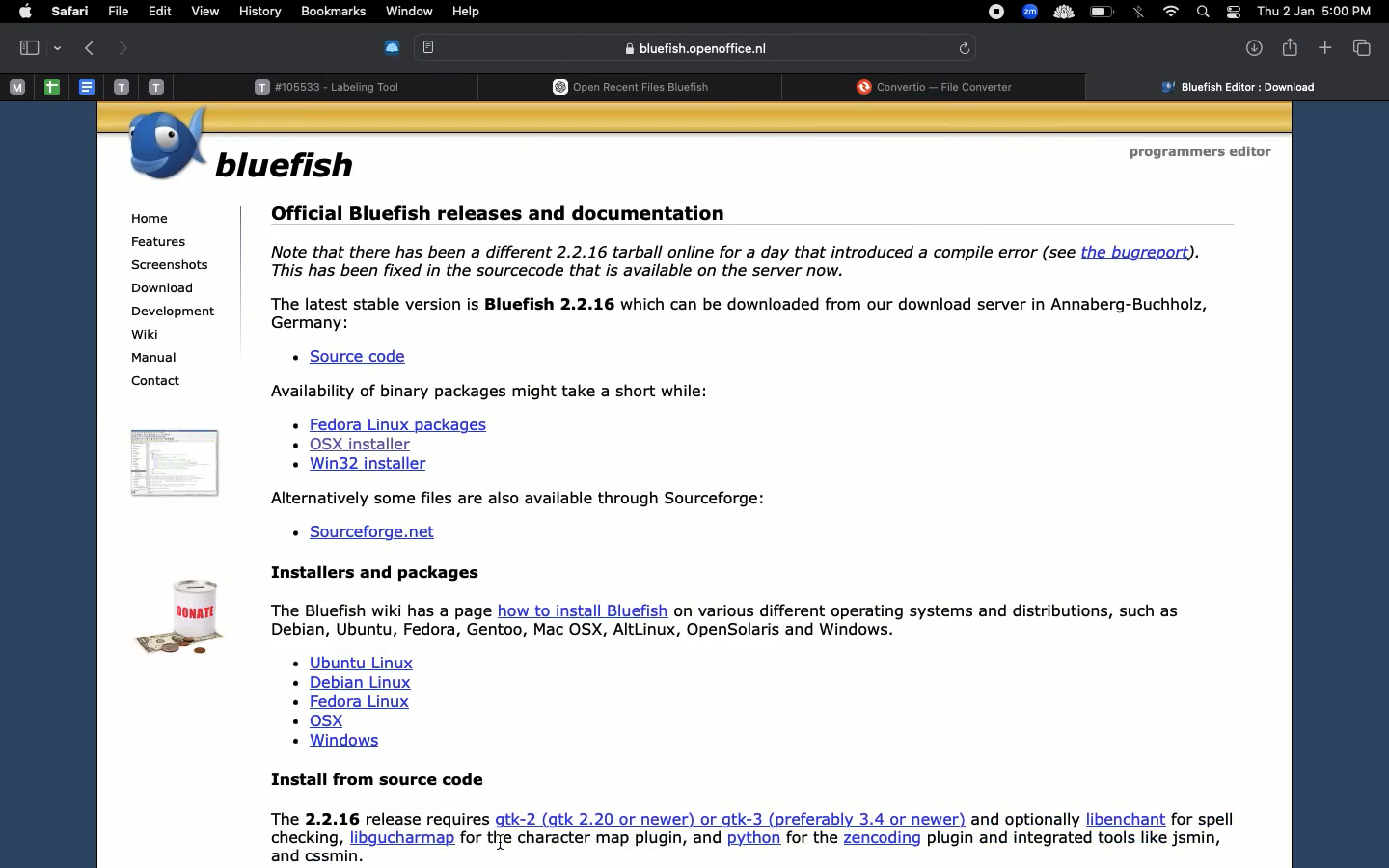 This screenshot has width=1389, height=868. I want to click on contact, so click(154, 382).